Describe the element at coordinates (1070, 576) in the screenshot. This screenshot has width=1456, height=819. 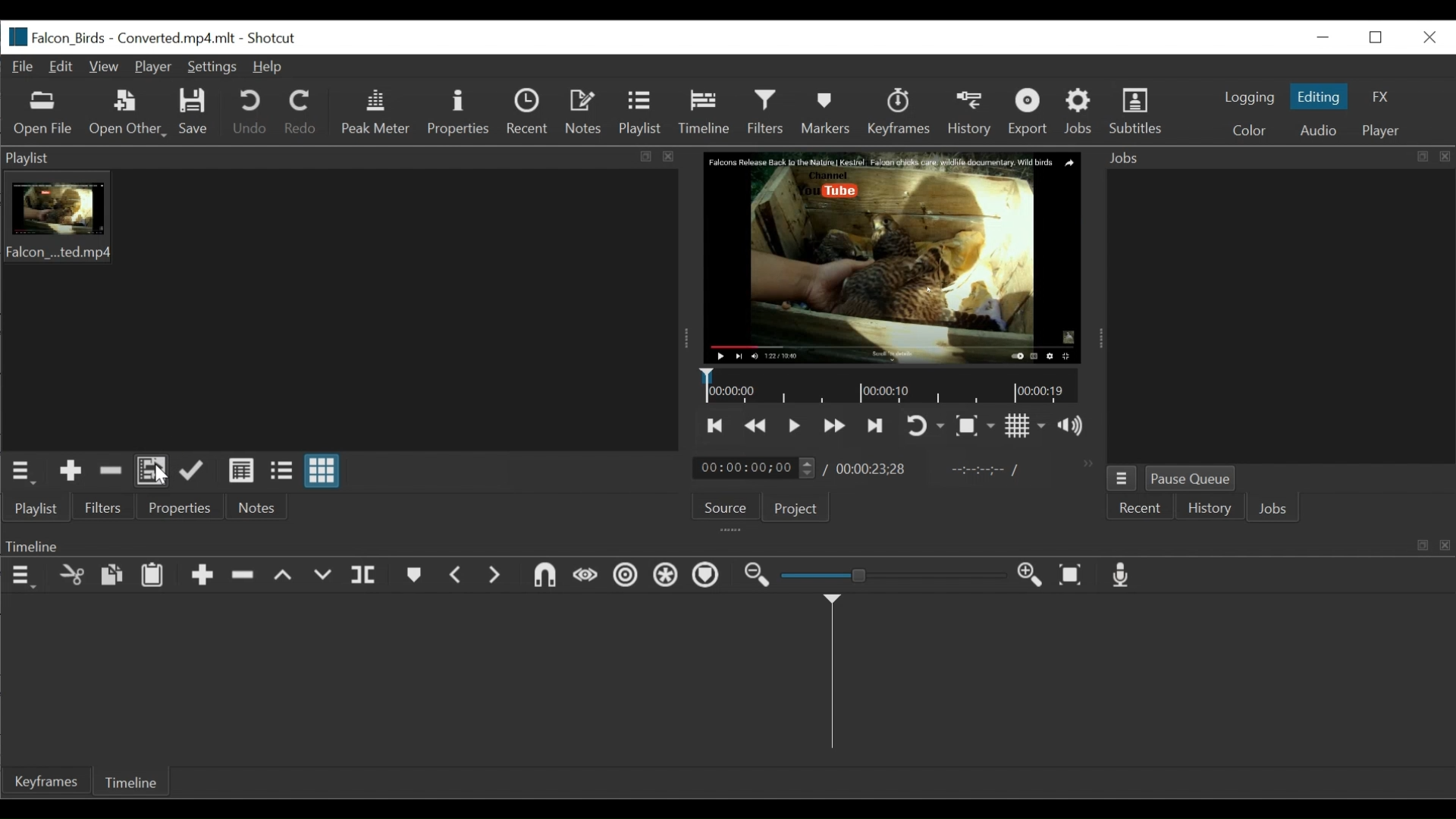
I see `Zoom timeline to fit` at that location.